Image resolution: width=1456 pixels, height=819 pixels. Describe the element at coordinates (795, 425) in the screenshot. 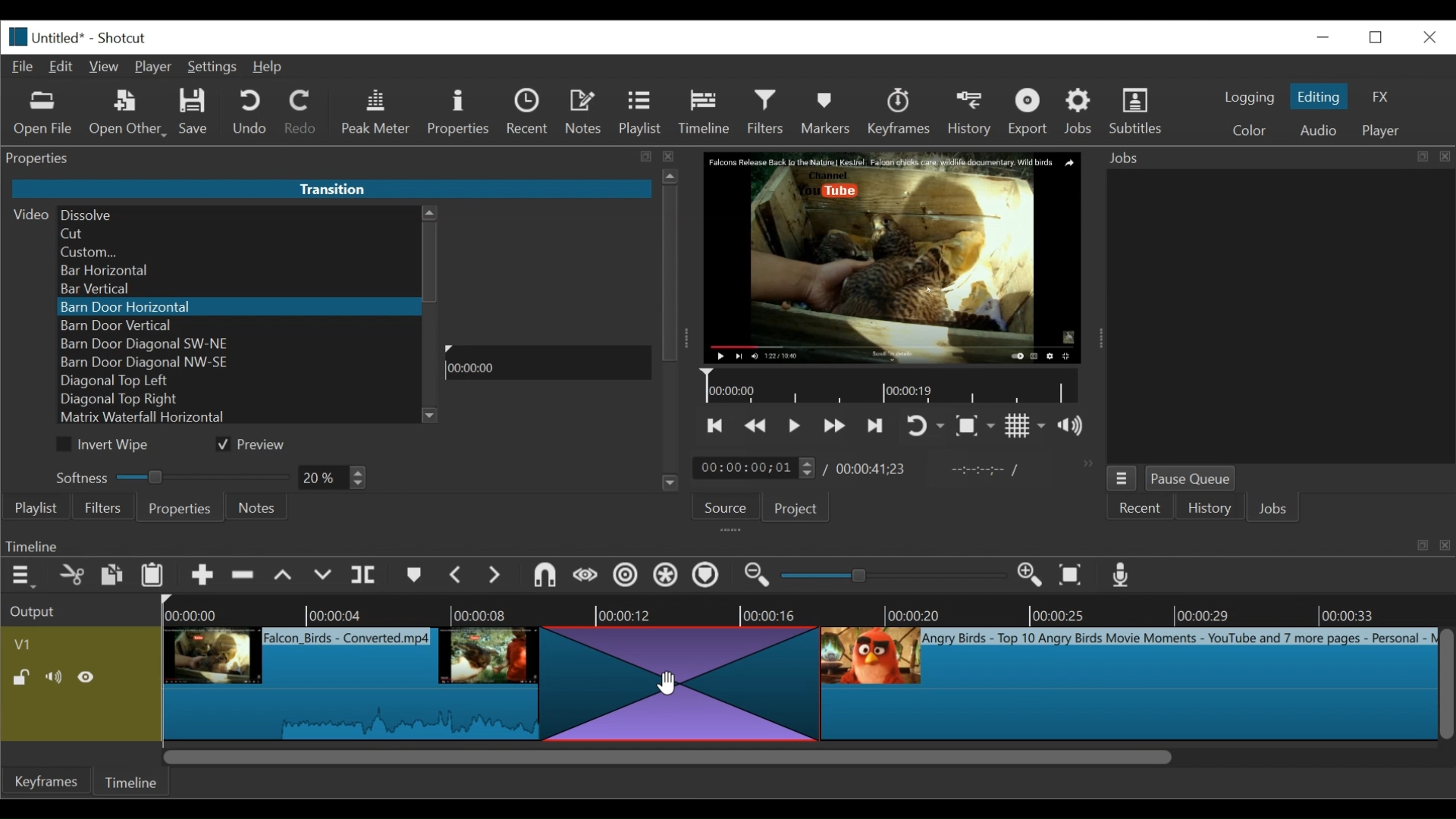

I see `Toggle play or pause (space)` at that location.